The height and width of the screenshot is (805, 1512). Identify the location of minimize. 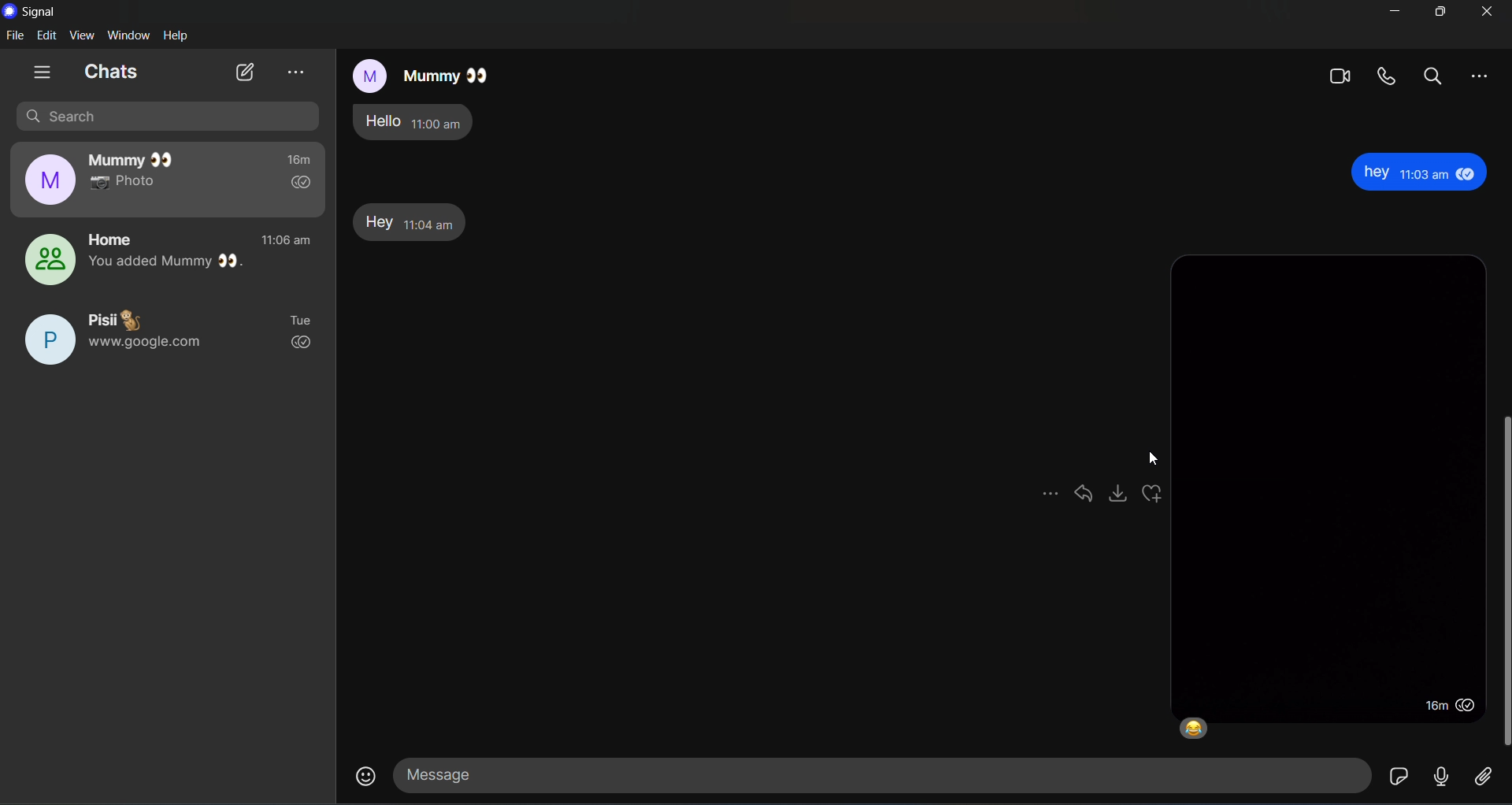
(1395, 13).